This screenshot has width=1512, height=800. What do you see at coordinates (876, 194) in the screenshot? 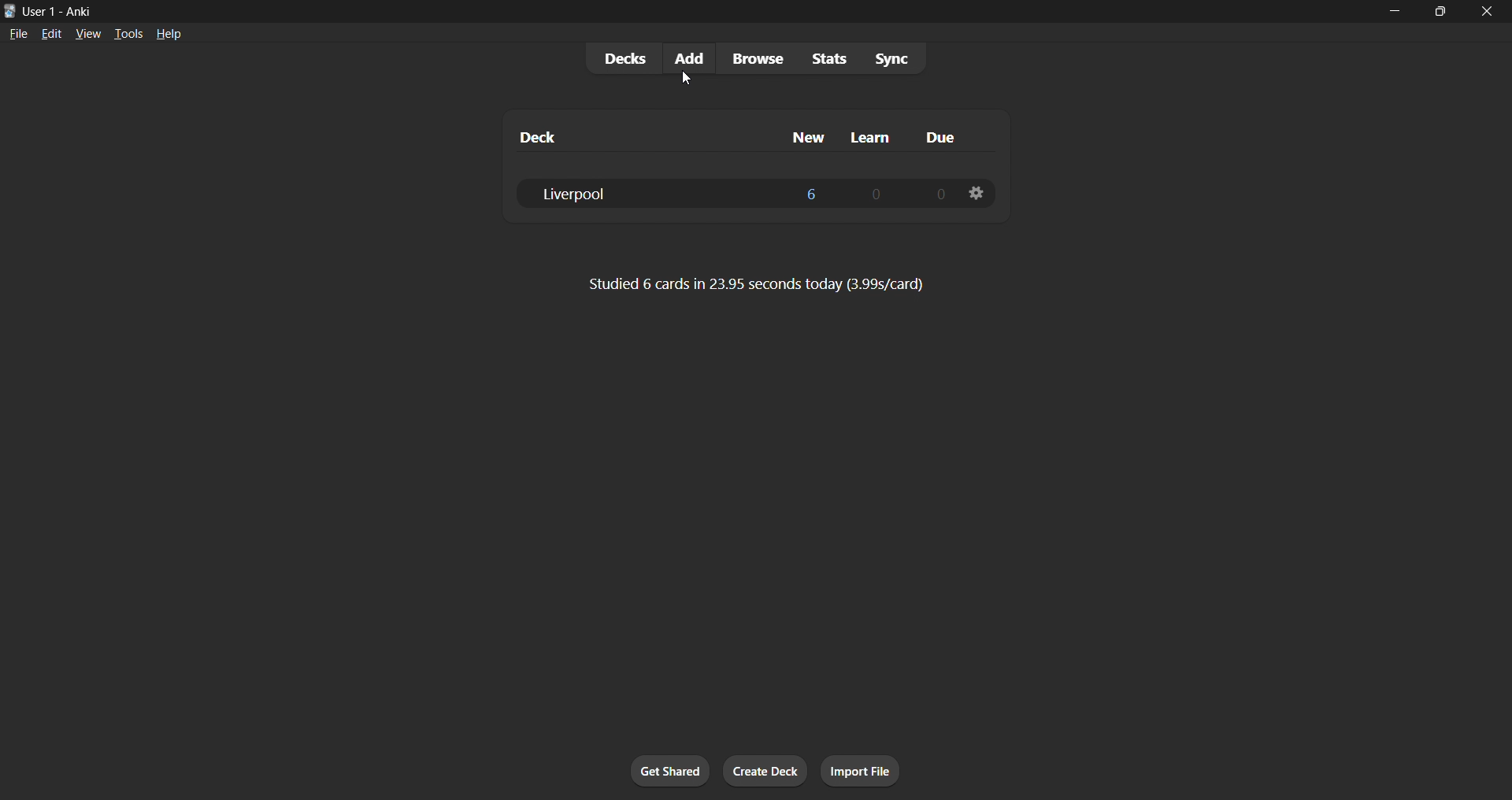
I see `Learn cards` at bounding box center [876, 194].